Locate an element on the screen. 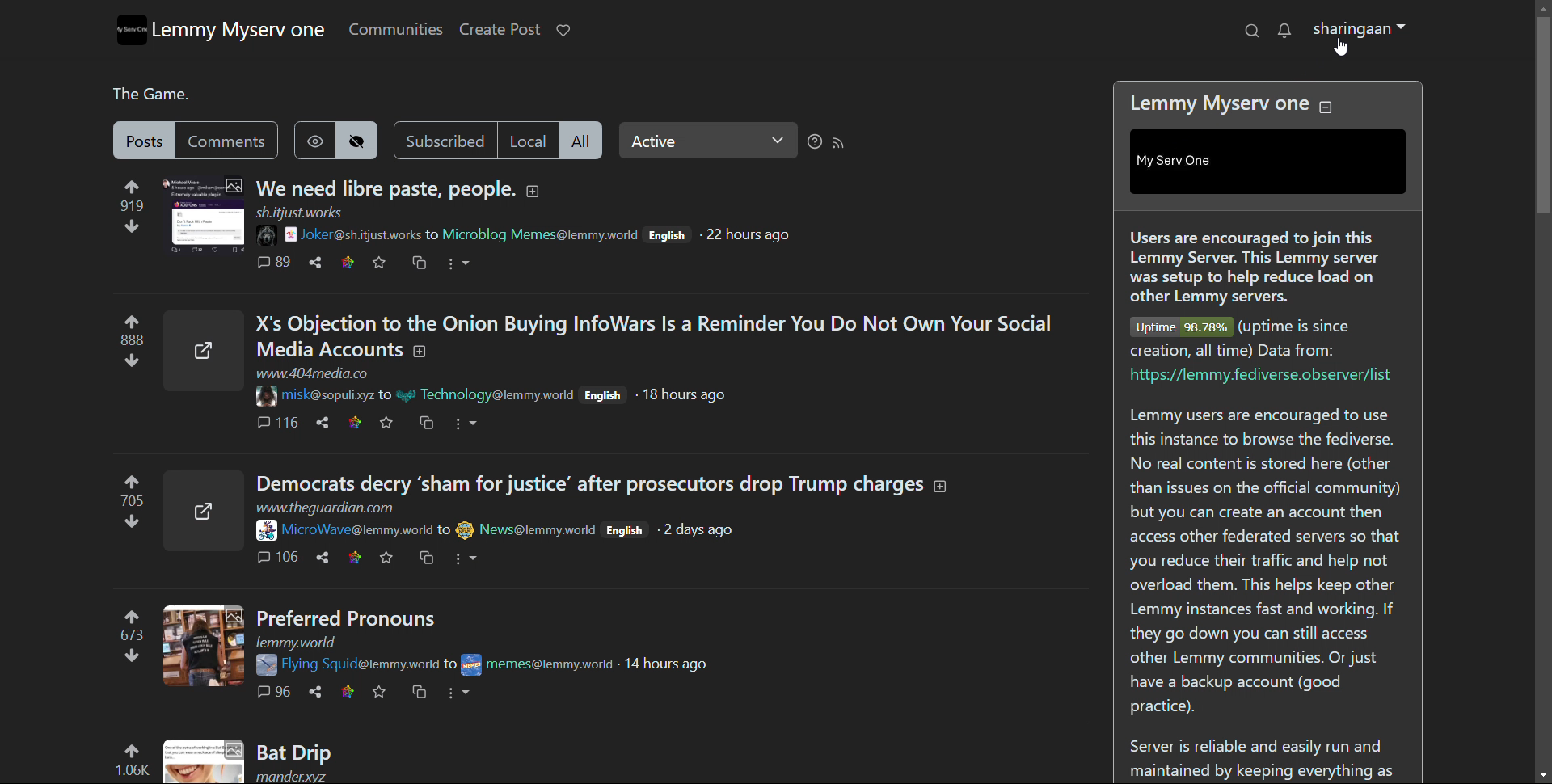 This screenshot has width=1552, height=784. hide hidden posts is located at coordinates (356, 141).